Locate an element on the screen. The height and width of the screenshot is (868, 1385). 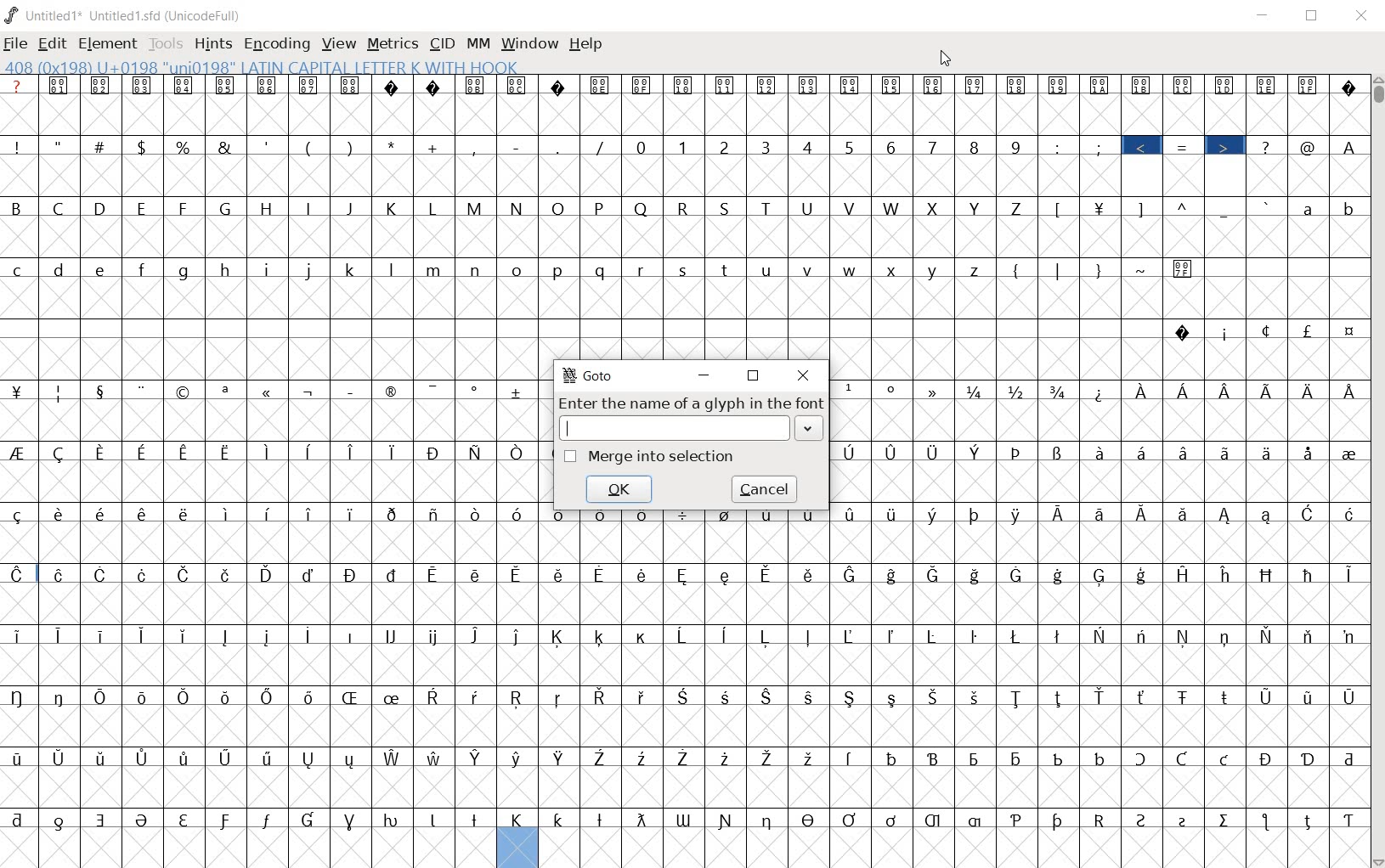
408 (0x198) U+0198 "UNI0198" latin capital letter k with hook is located at coordinates (263, 66).